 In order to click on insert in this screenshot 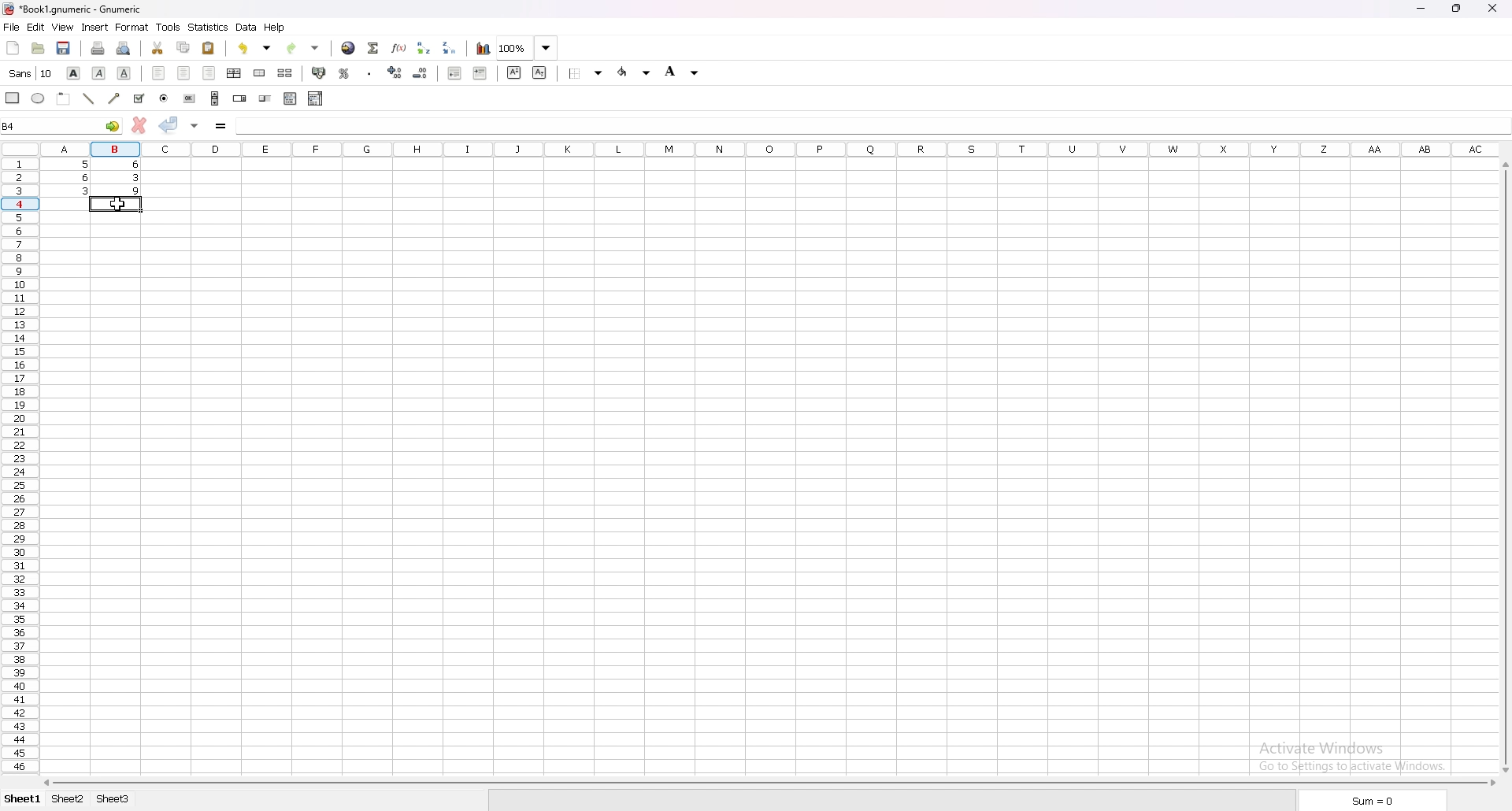, I will do `click(94, 28)`.